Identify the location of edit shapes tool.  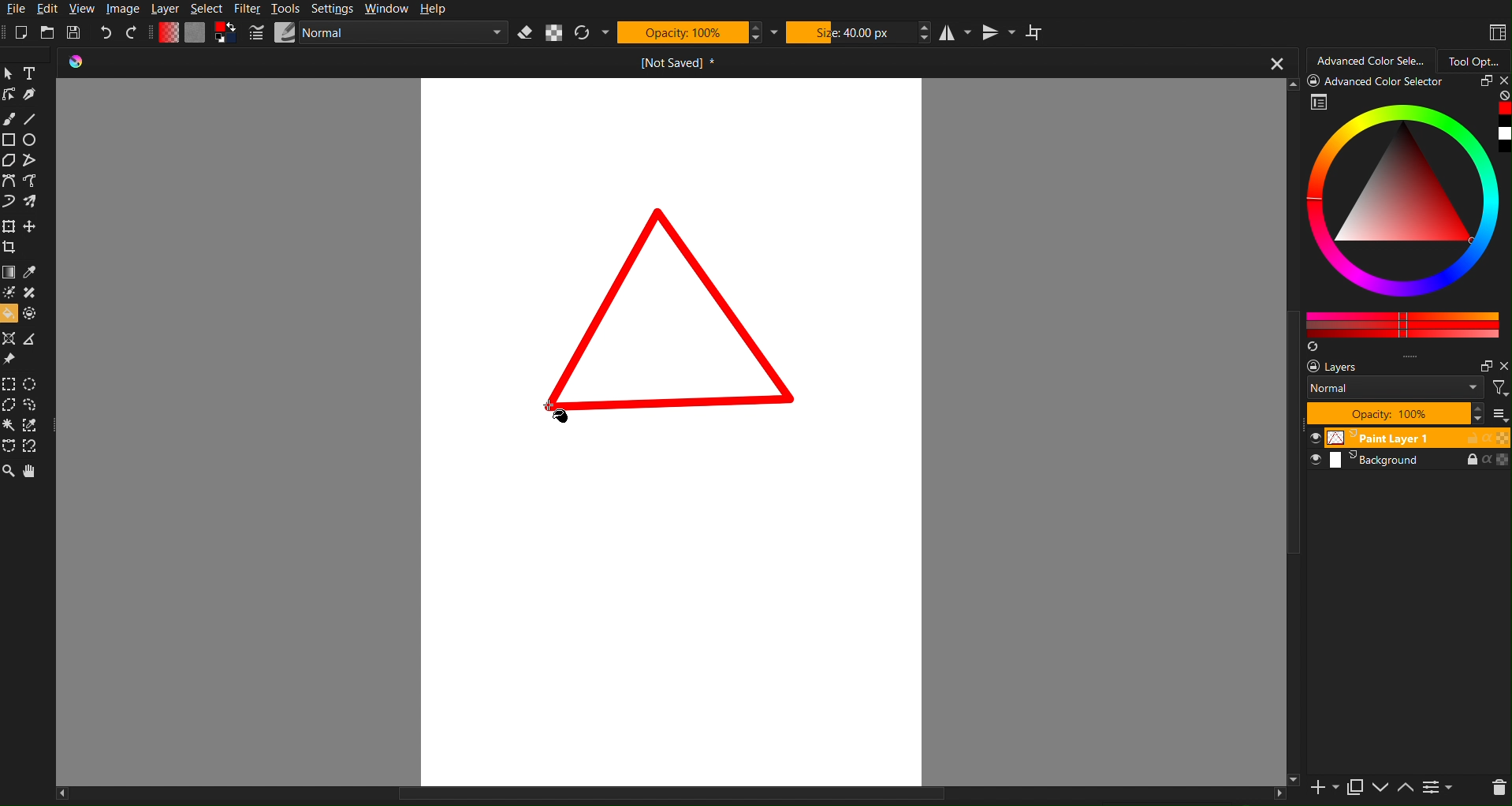
(10, 95).